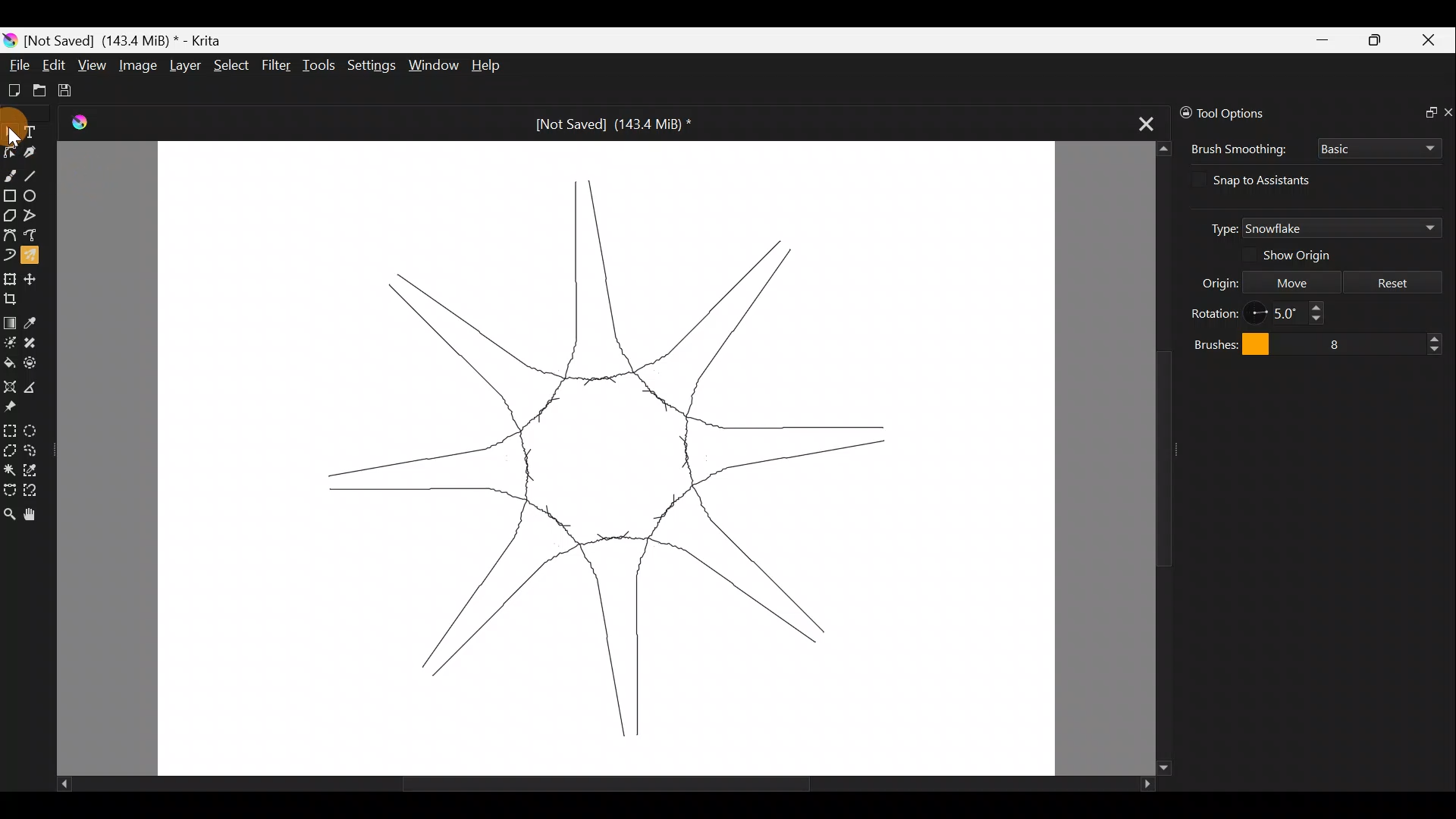 This screenshot has height=819, width=1456. I want to click on Multibrush tool, so click(32, 259).